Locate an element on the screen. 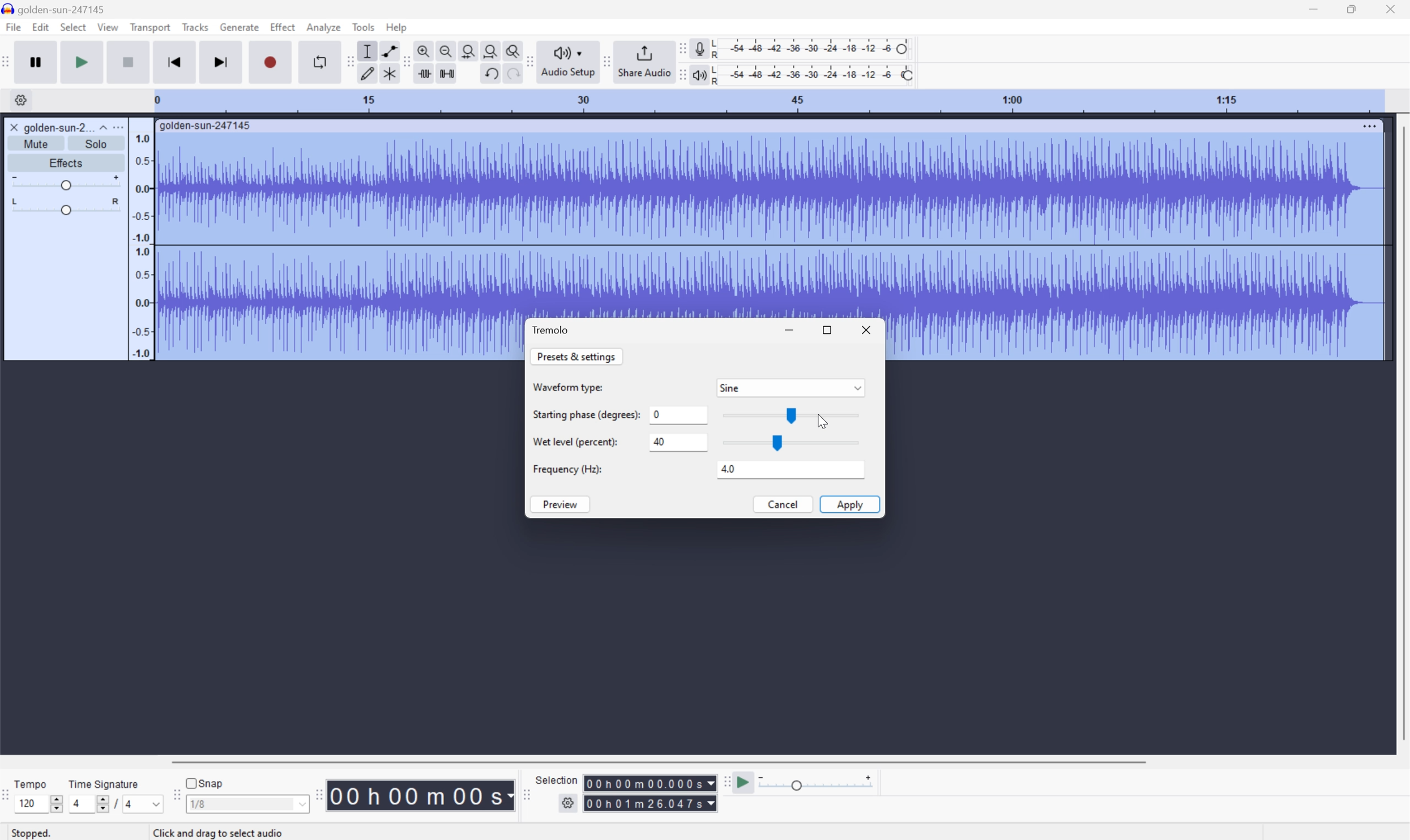  Audacity edit toolbar is located at coordinates (407, 63).